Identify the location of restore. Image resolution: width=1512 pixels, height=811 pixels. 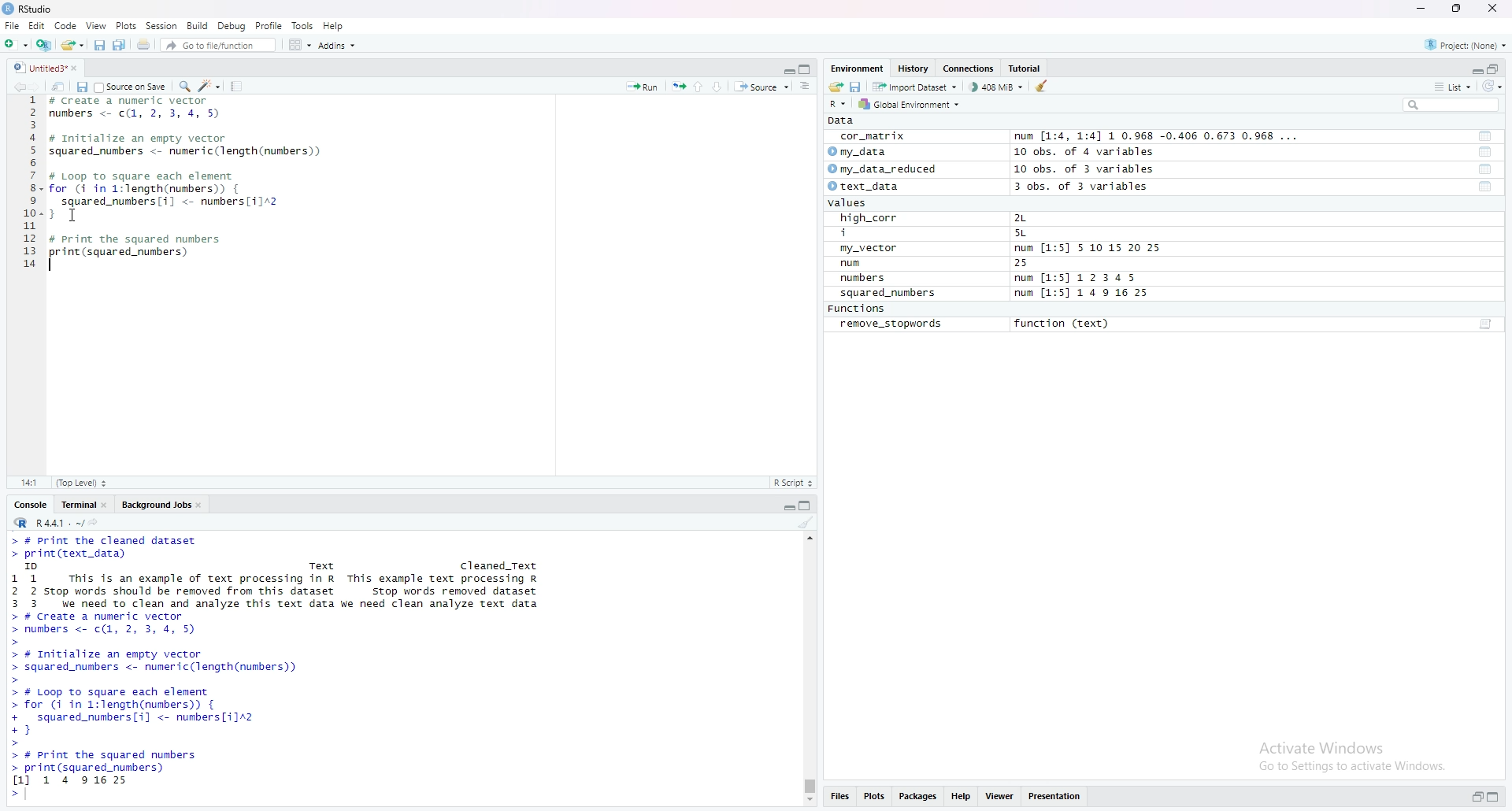
(1477, 798).